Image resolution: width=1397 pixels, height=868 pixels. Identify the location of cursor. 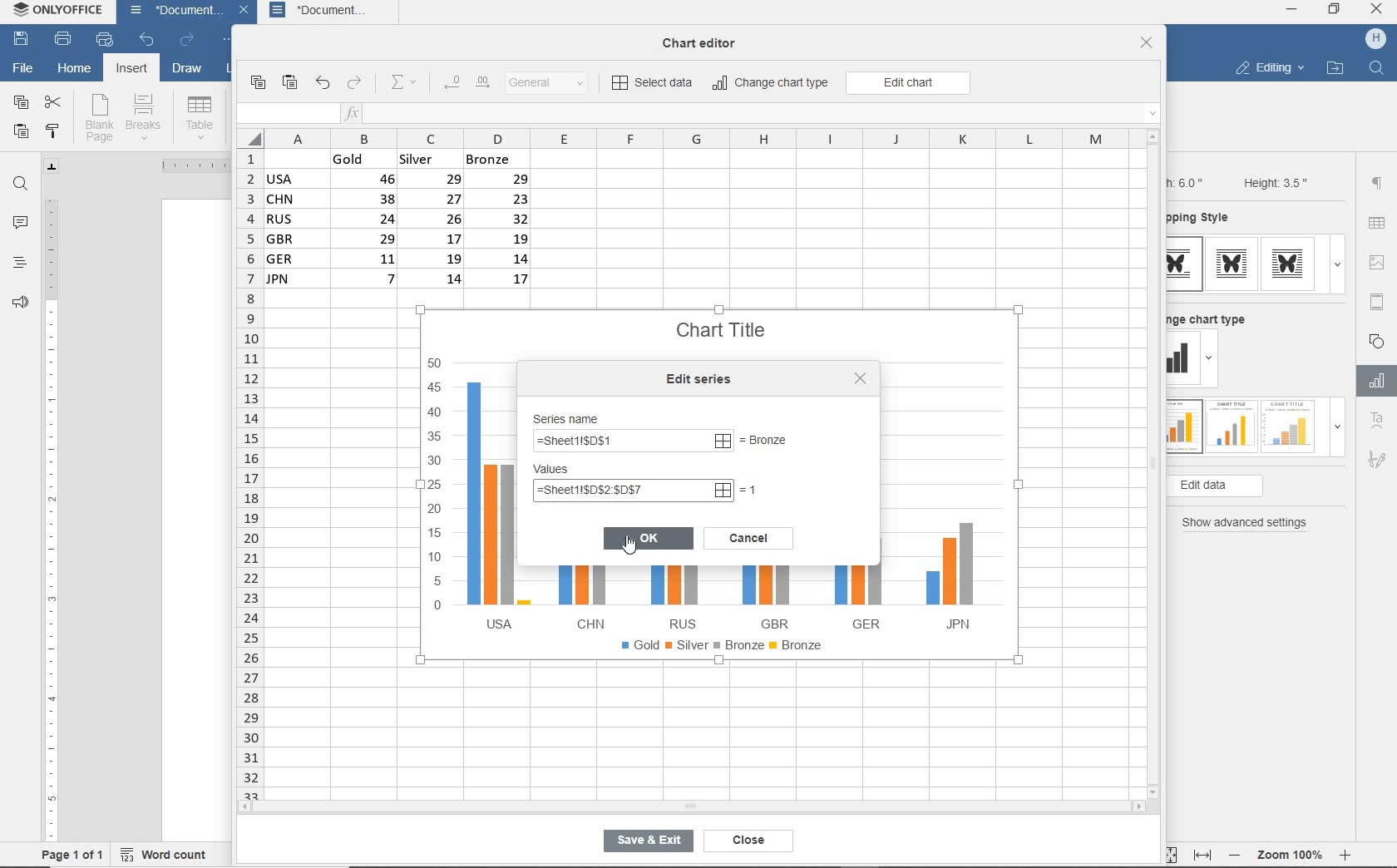
(635, 550).